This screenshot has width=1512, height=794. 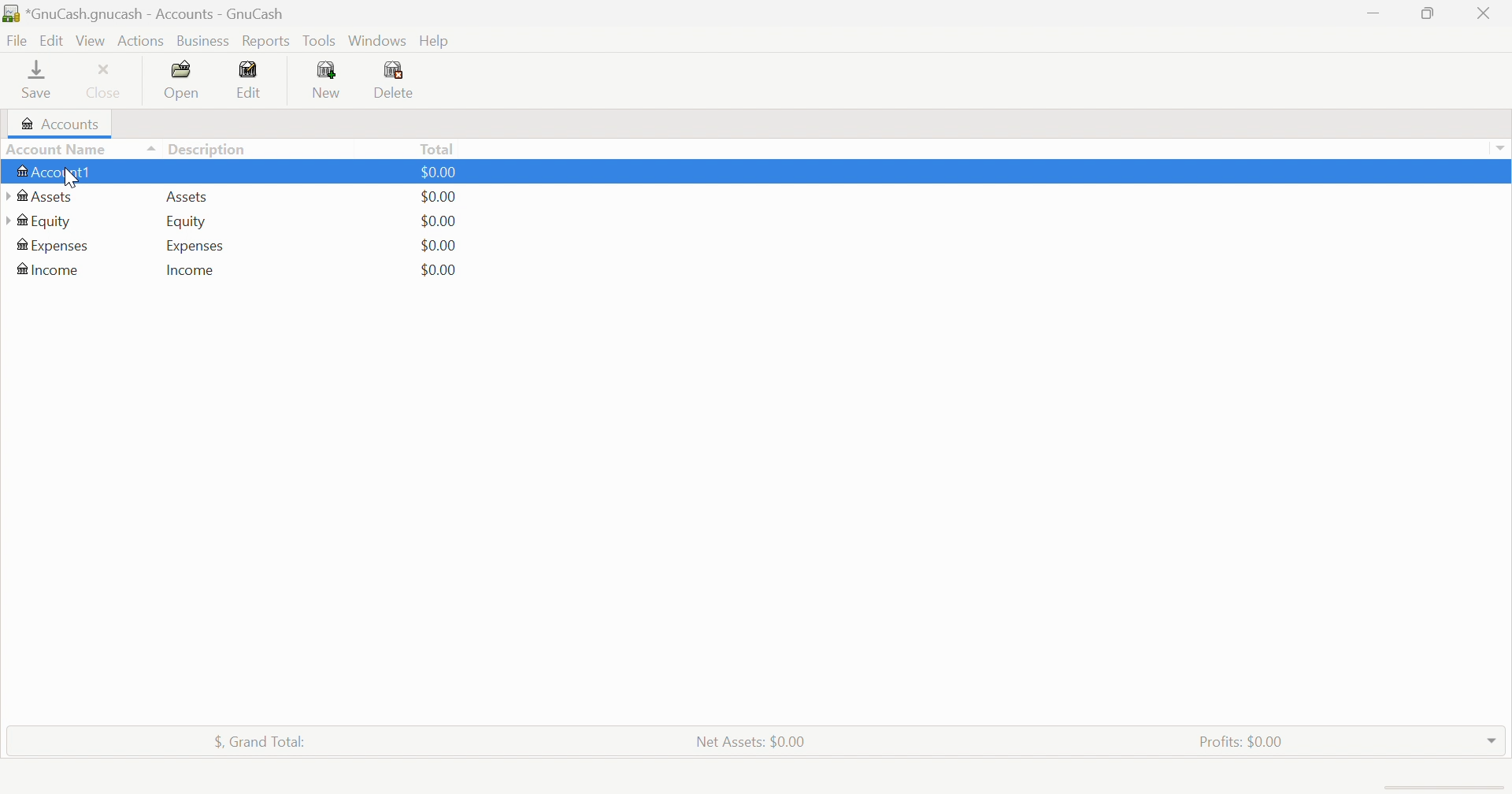 I want to click on Delete, so click(x=398, y=80).